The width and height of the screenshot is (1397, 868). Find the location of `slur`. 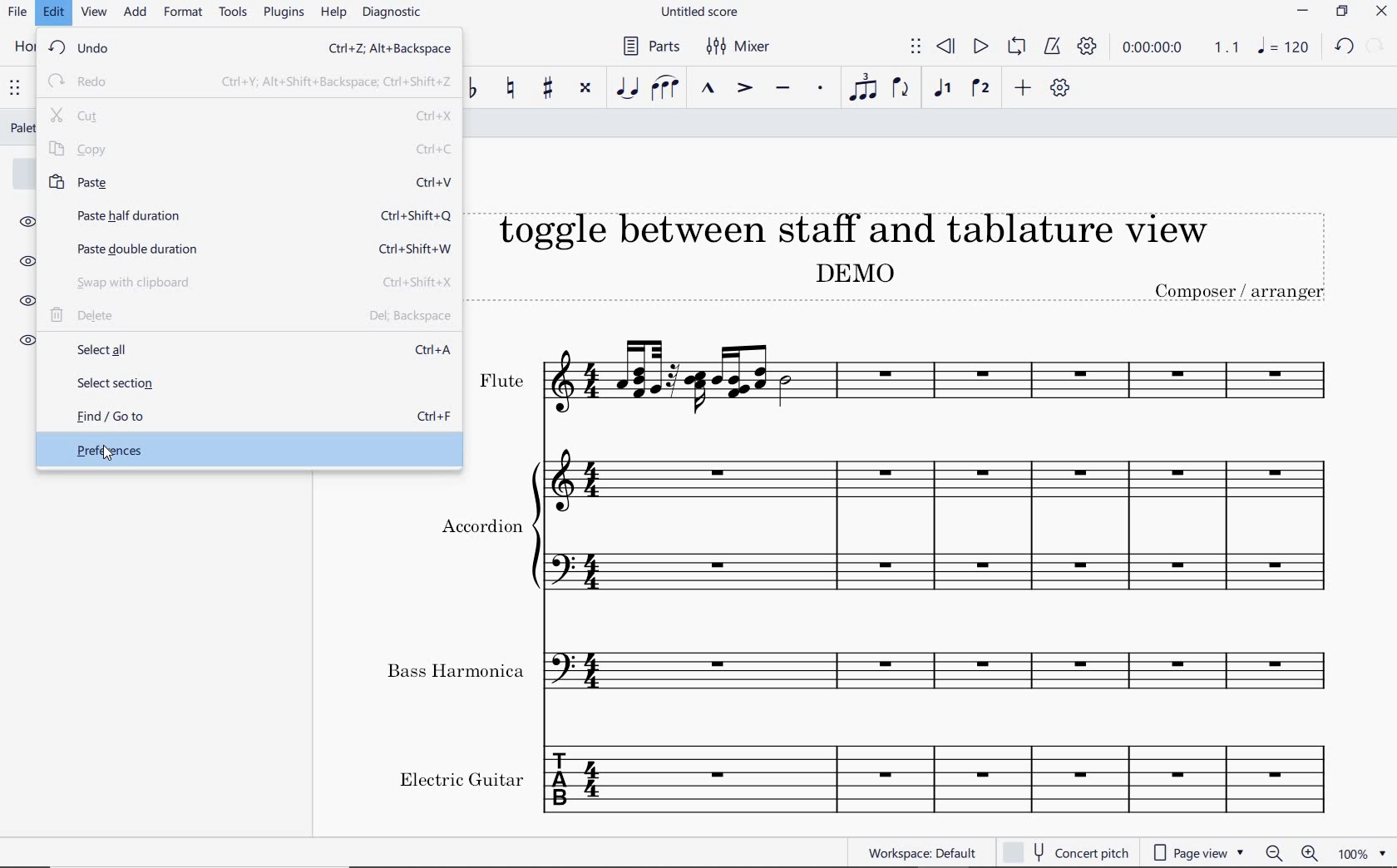

slur is located at coordinates (666, 88).